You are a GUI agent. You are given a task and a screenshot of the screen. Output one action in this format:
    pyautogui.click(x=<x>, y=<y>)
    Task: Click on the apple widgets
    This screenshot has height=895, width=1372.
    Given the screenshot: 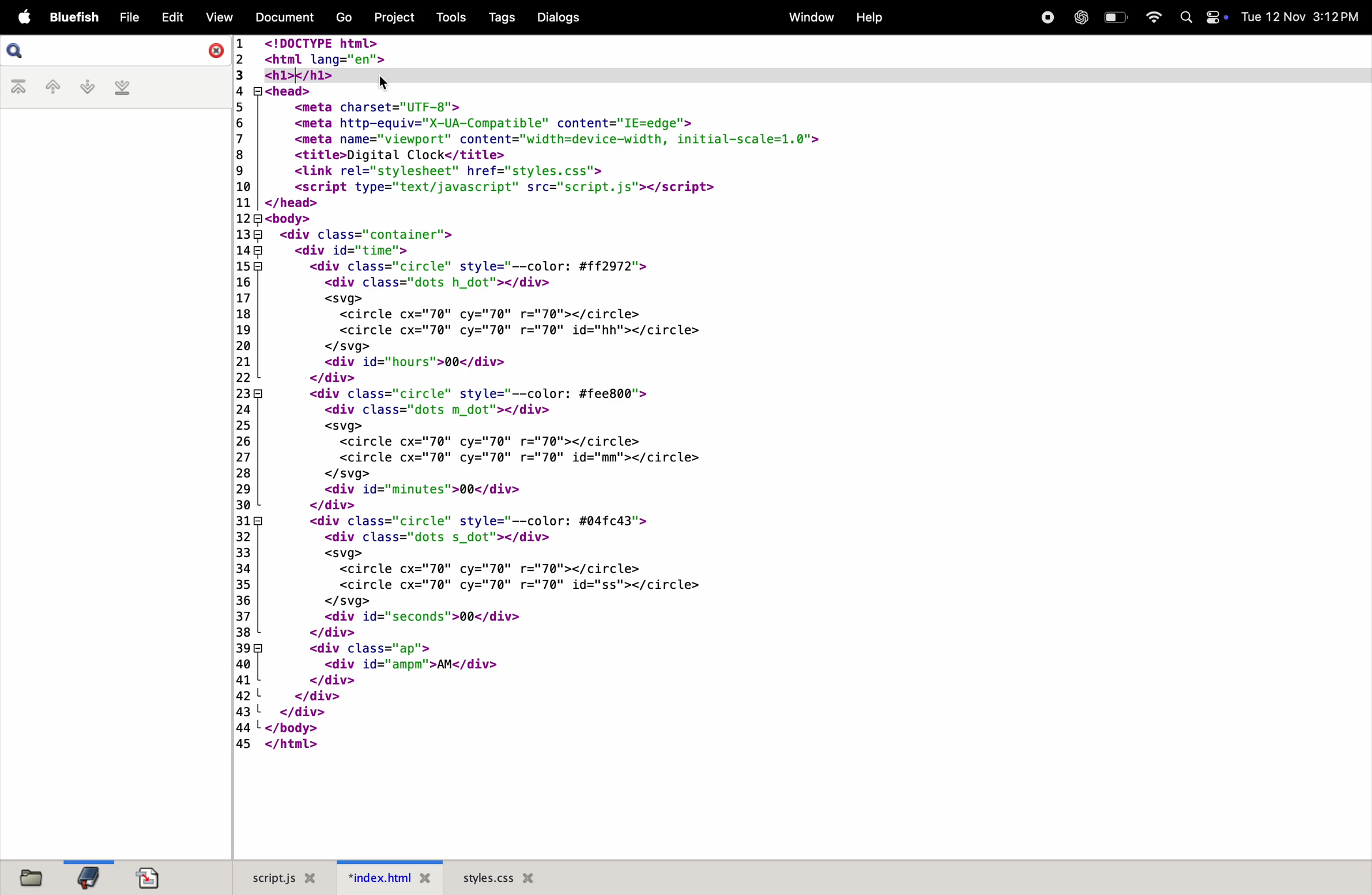 What is the action you would take?
    pyautogui.click(x=1203, y=17)
    